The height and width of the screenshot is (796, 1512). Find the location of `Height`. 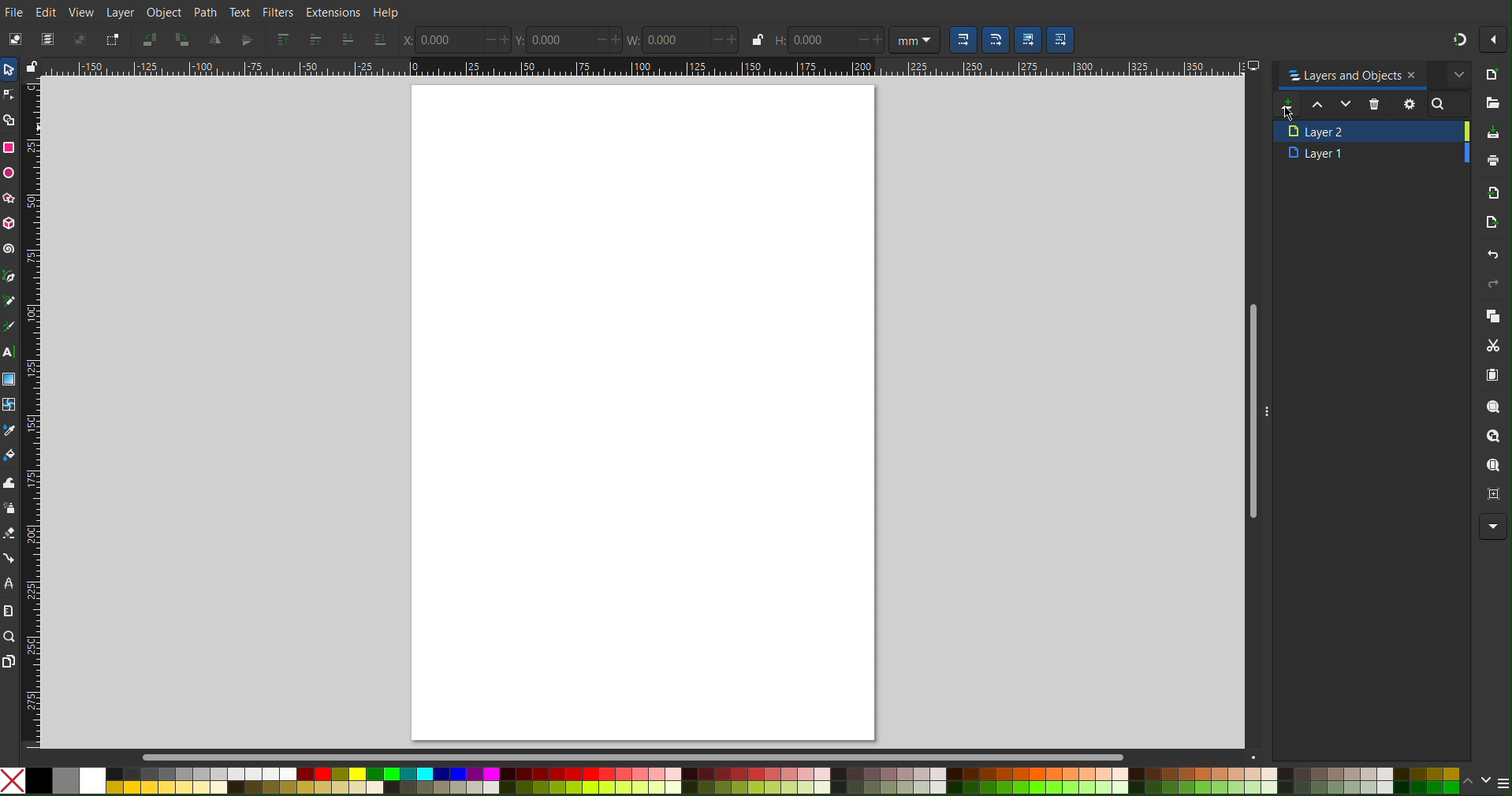

Height is located at coordinates (828, 40).